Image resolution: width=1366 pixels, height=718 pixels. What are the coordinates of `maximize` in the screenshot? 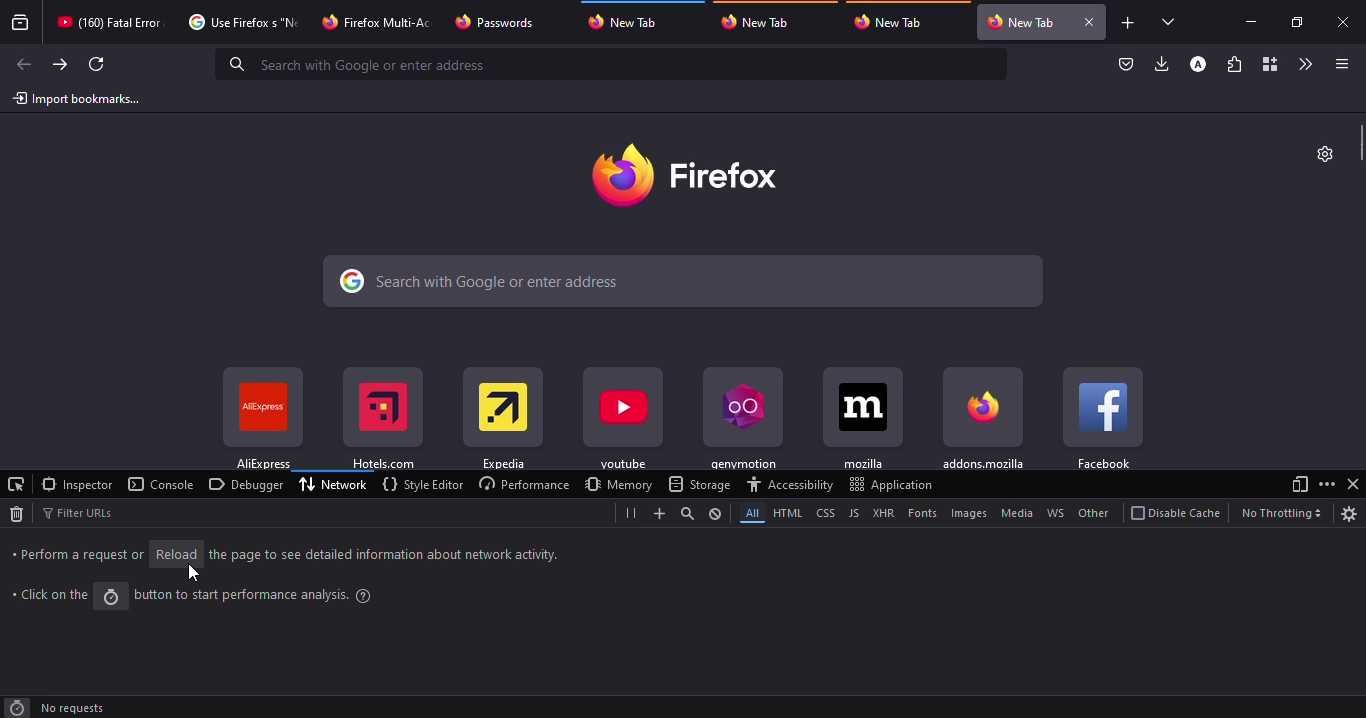 It's located at (1297, 24).